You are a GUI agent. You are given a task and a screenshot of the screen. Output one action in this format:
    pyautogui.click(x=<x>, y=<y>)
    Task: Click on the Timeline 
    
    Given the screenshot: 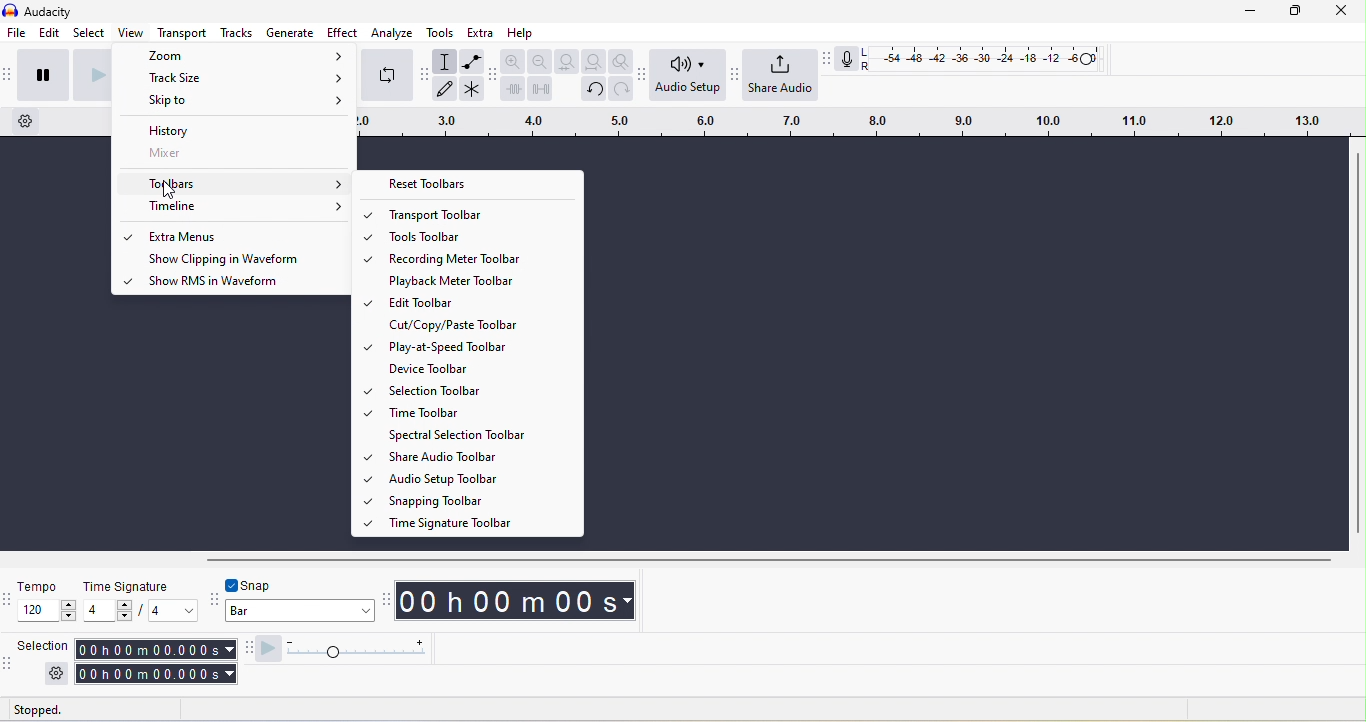 What is the action you would take?
    pyautogui.click(x=234, y=207)
    